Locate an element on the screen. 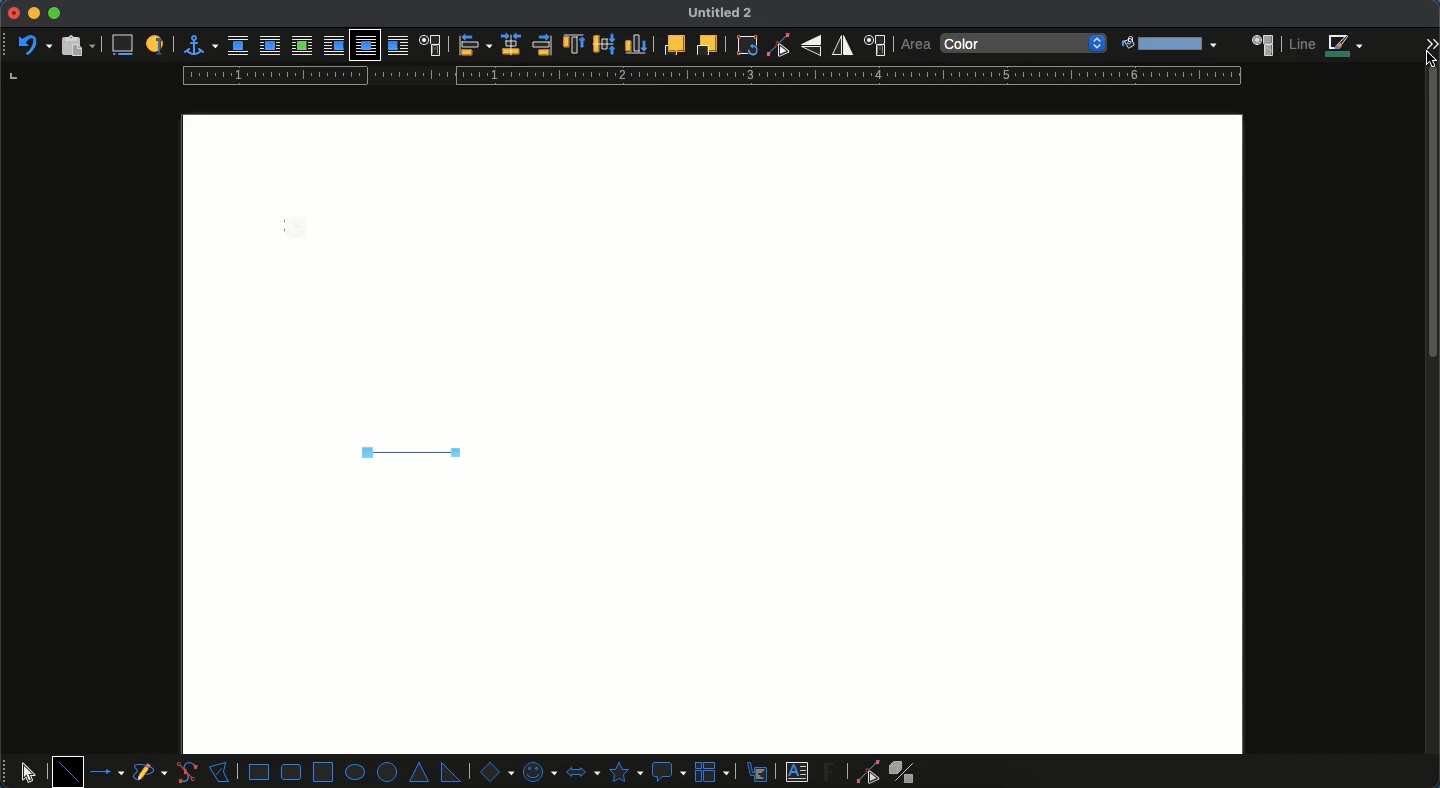  align objects is located at coordinates (475, 45).